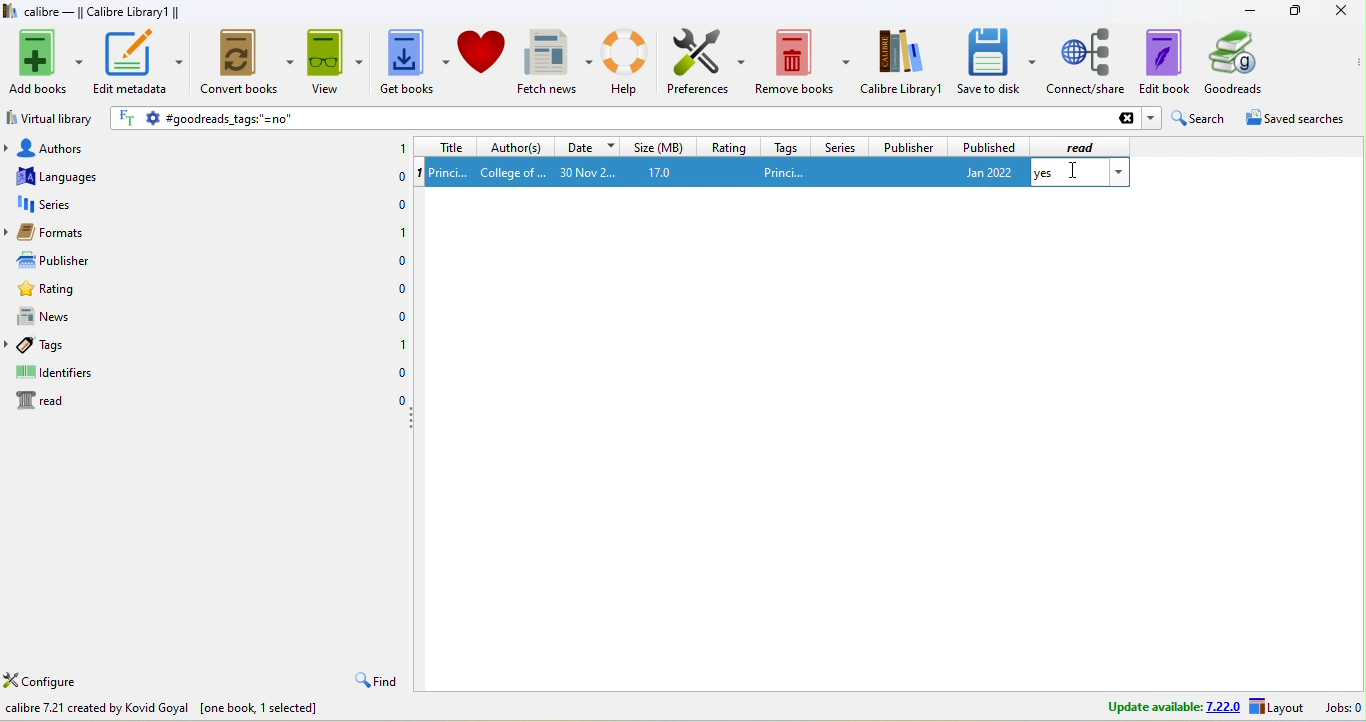  I want to click on series, so click(56, 207).